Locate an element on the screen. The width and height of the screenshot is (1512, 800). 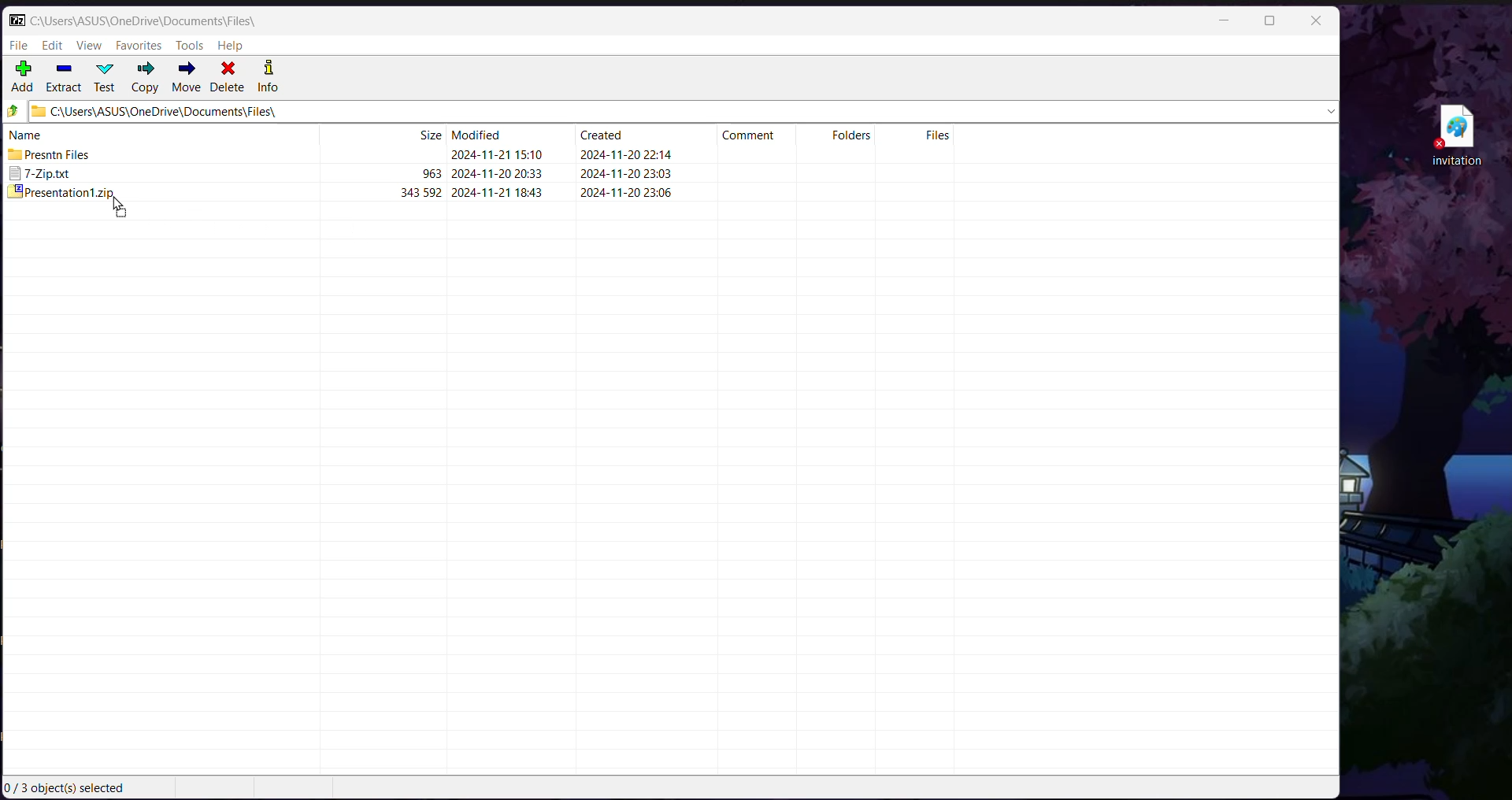
Comment is located at coordinates (754, 133).